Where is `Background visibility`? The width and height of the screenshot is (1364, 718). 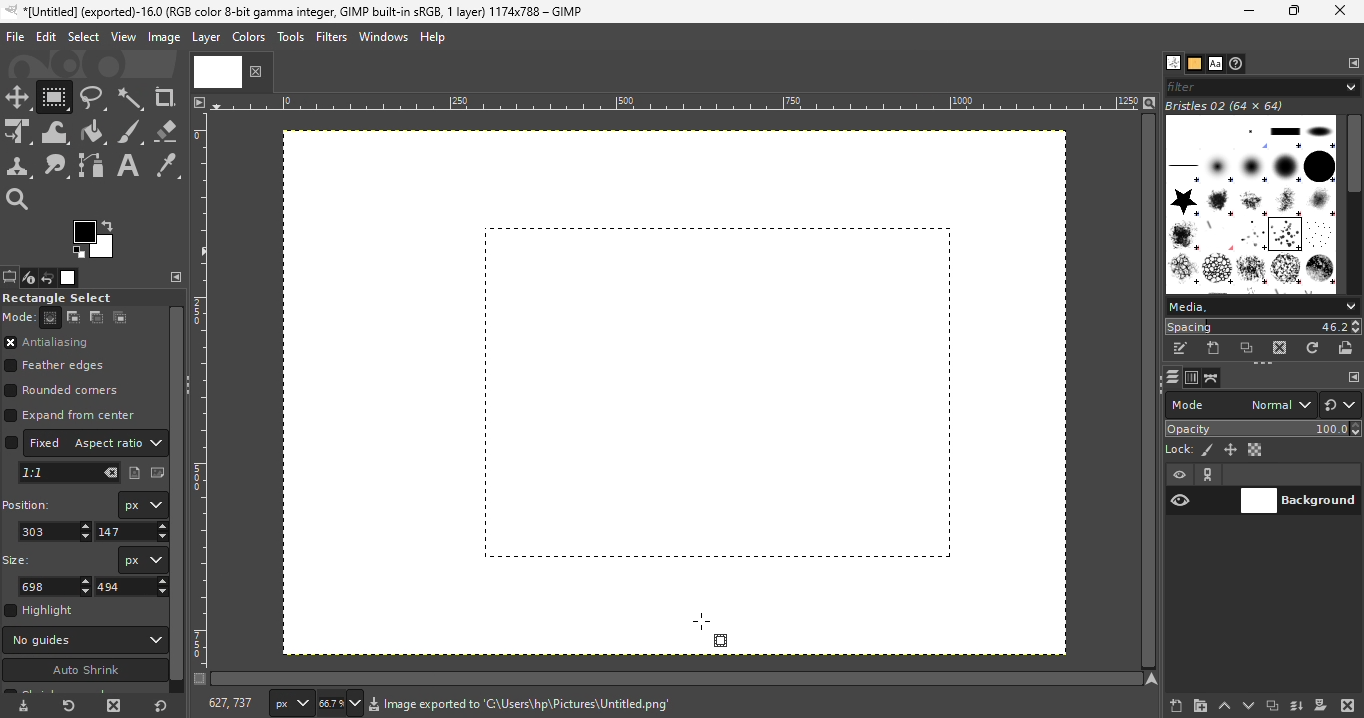
Background visibility is located at coordinates (1300, 502).